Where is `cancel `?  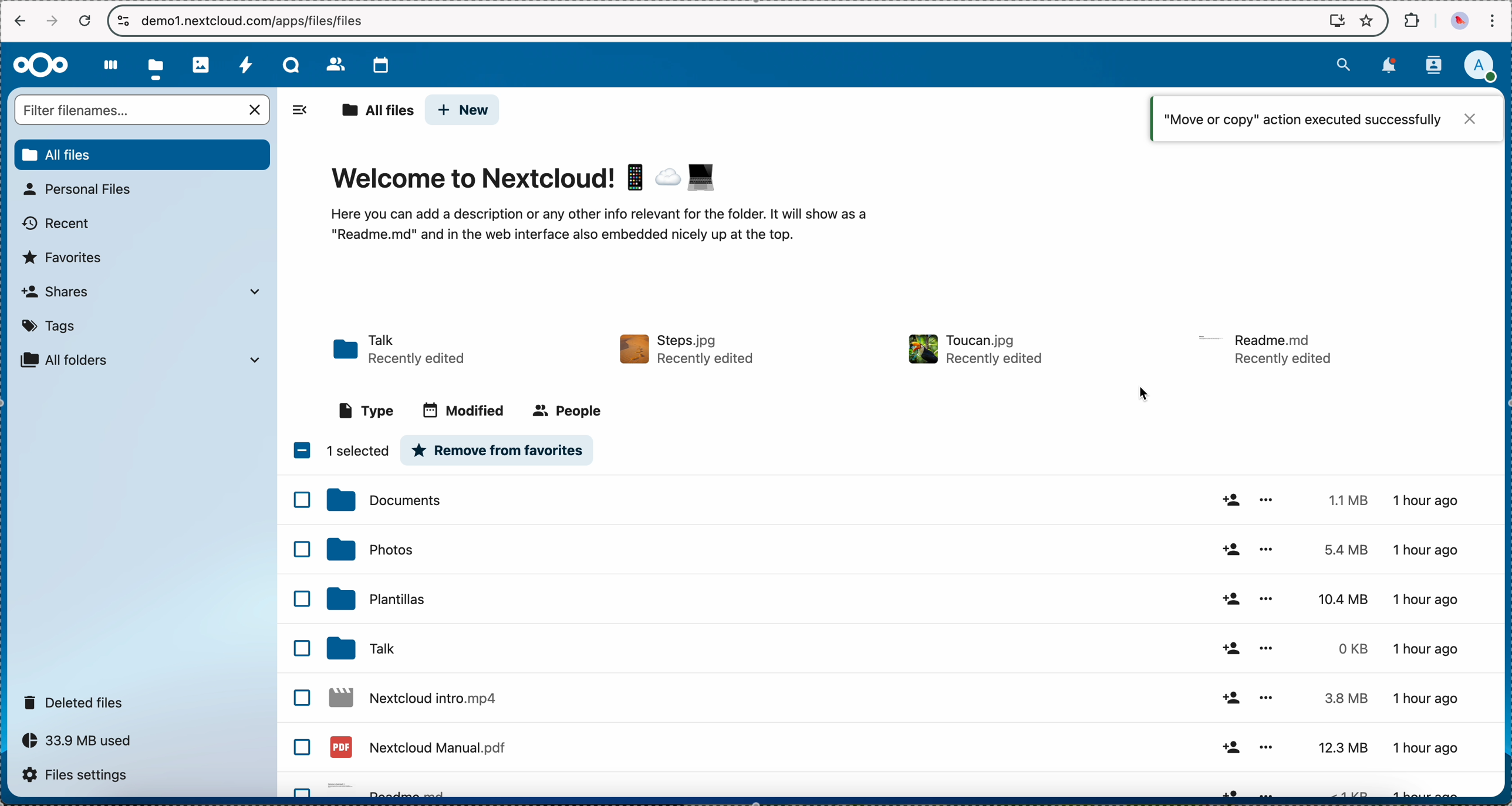 cancel  is located at coordinates (85, 21).